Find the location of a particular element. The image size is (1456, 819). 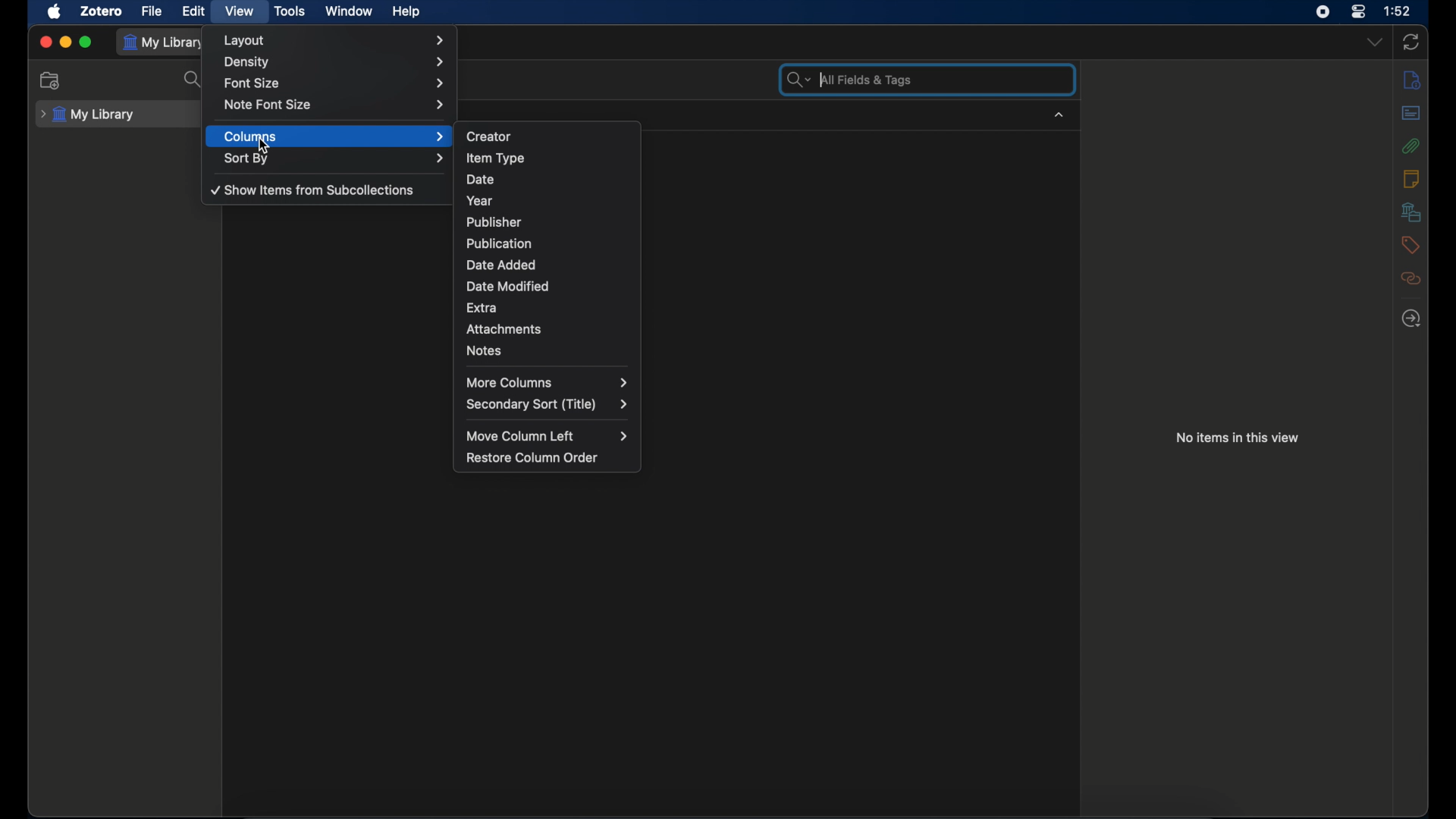

new collection is located at coordinates (50, 80).